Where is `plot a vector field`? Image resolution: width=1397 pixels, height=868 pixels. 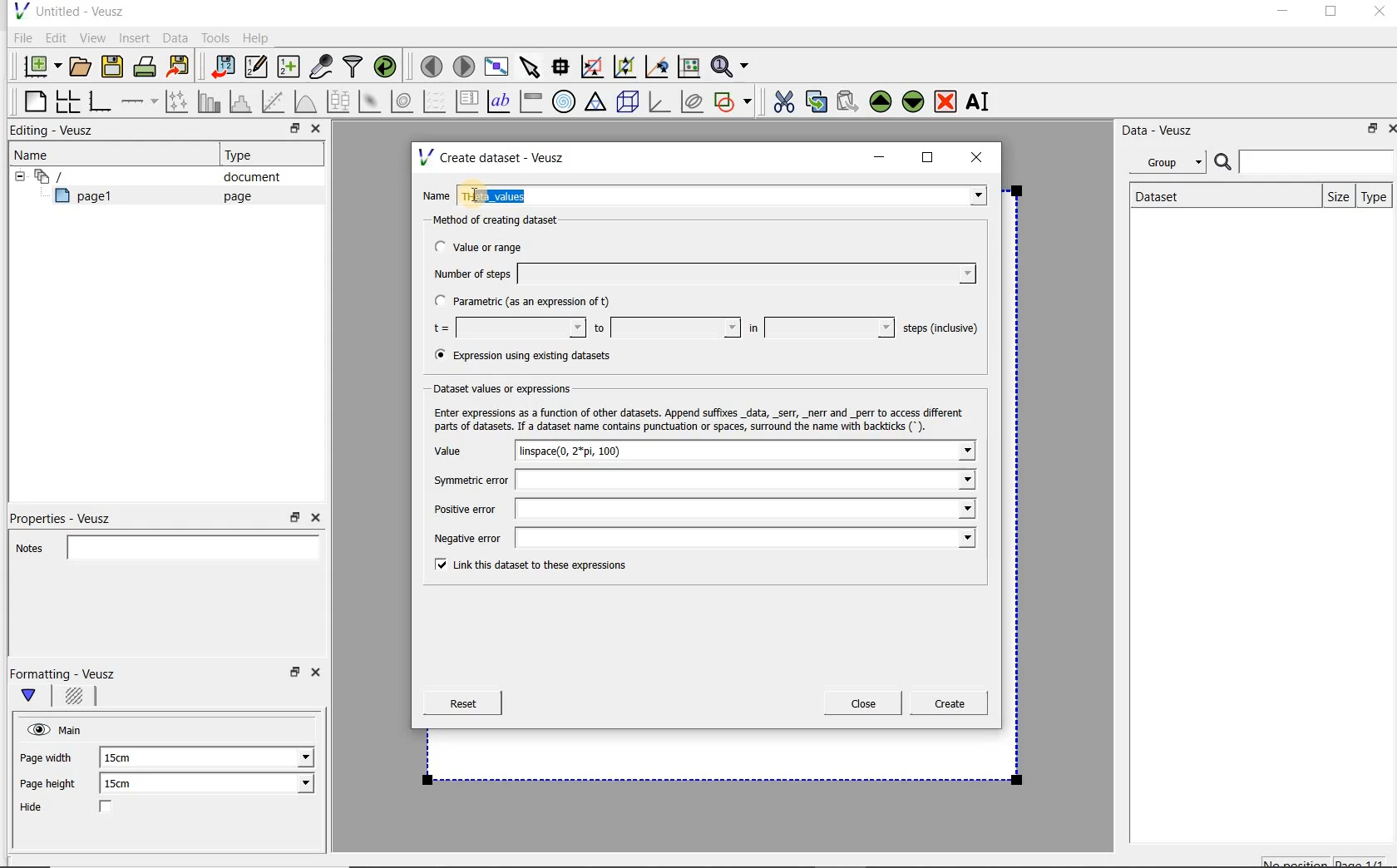 plot a vector field is located at coordinates (435, 100).